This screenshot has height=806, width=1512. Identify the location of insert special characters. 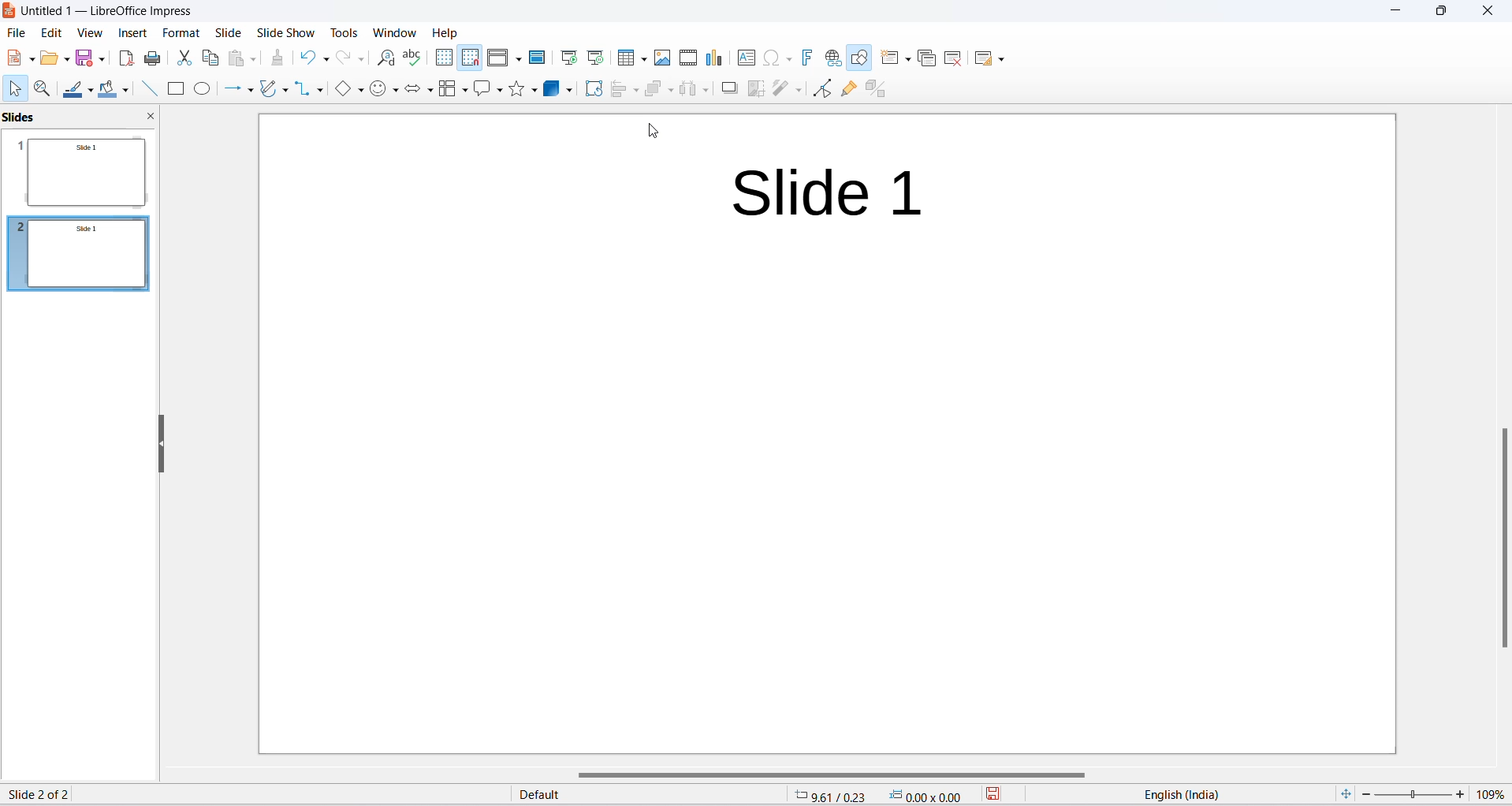
(778, 57).